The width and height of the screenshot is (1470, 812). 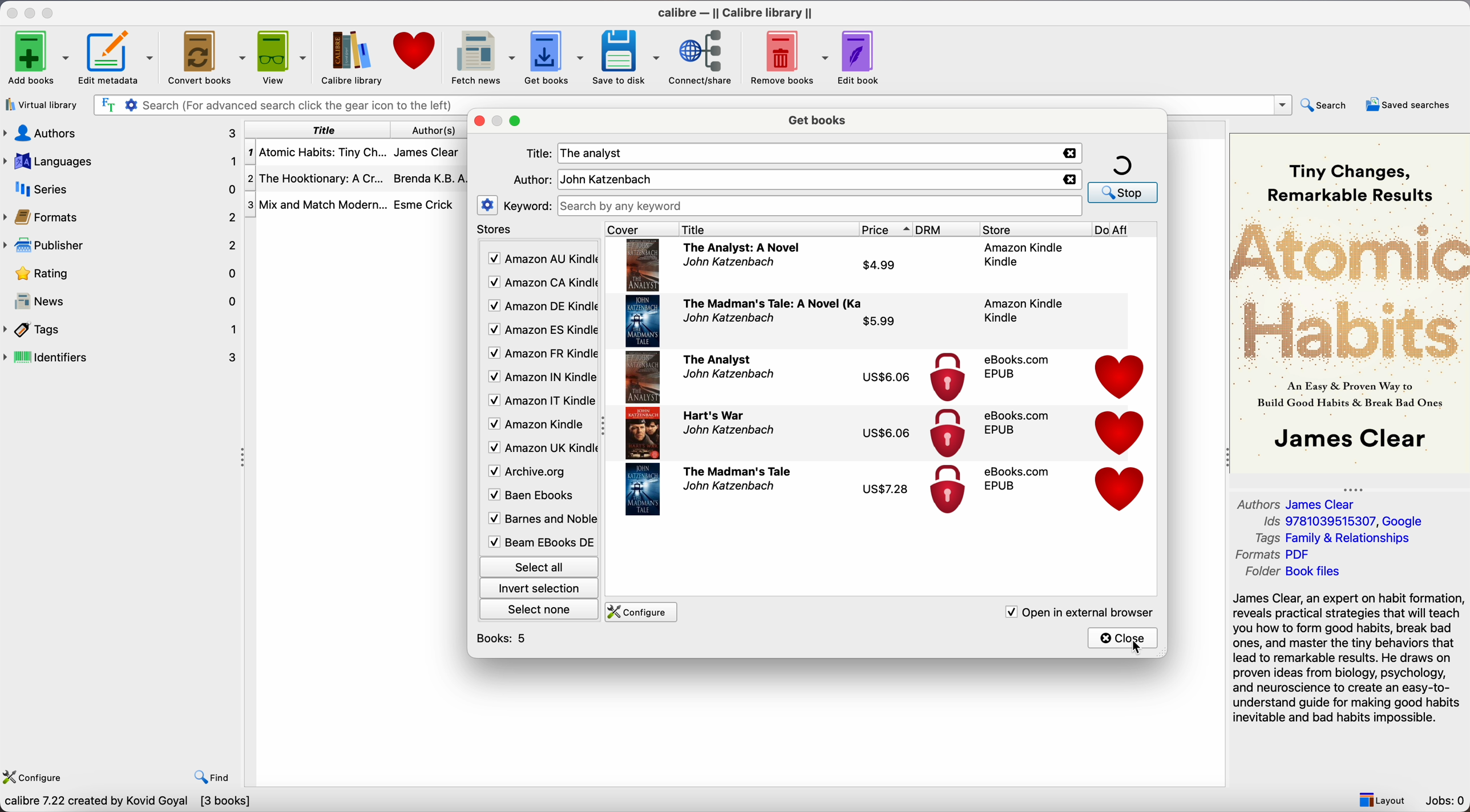 I want to click on Amazon Kindle, so click(x=1021, y=310).